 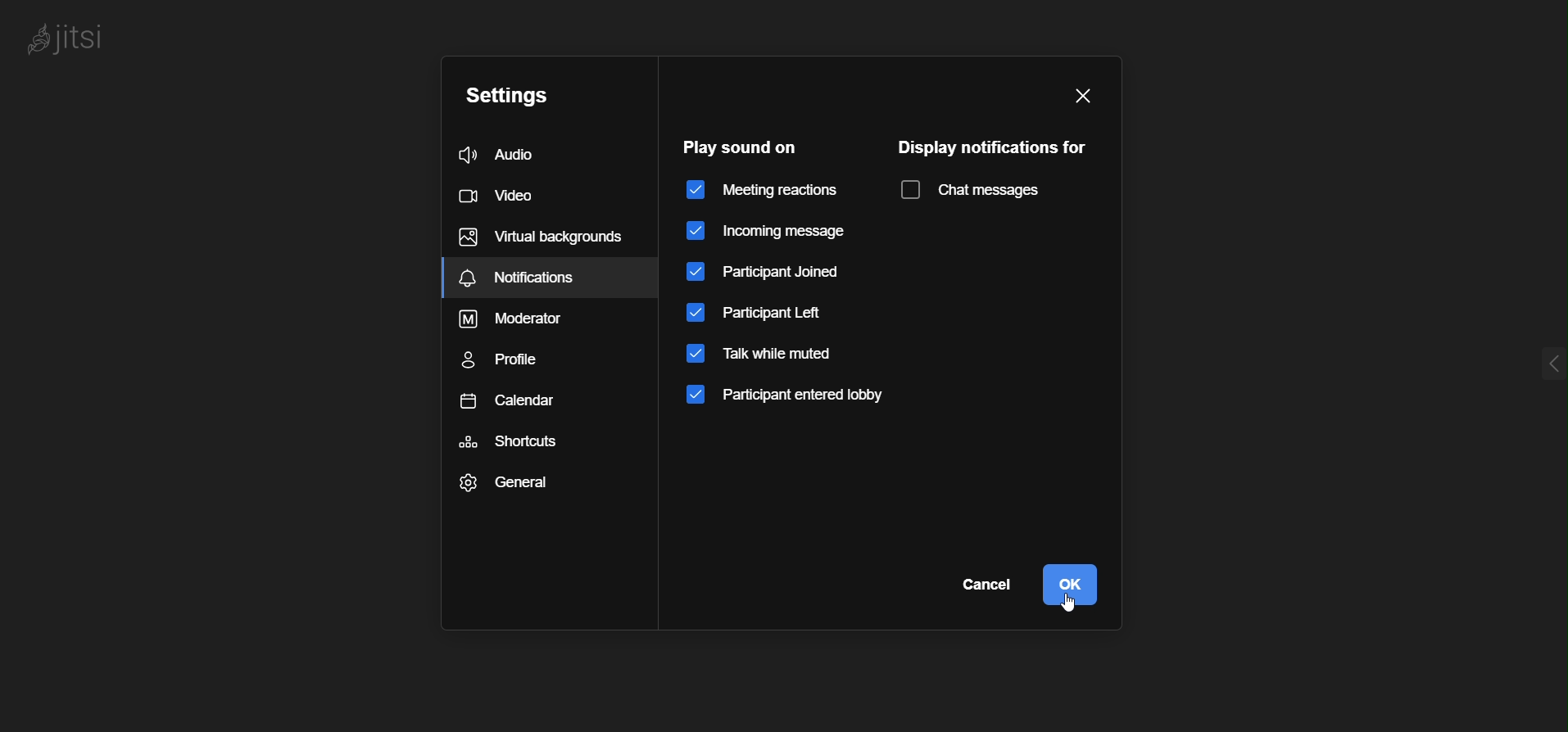 What do you see at coordinates (974, 192) in the screenshot?
I see `disabled chat messages` at bounding box center [974, 192].